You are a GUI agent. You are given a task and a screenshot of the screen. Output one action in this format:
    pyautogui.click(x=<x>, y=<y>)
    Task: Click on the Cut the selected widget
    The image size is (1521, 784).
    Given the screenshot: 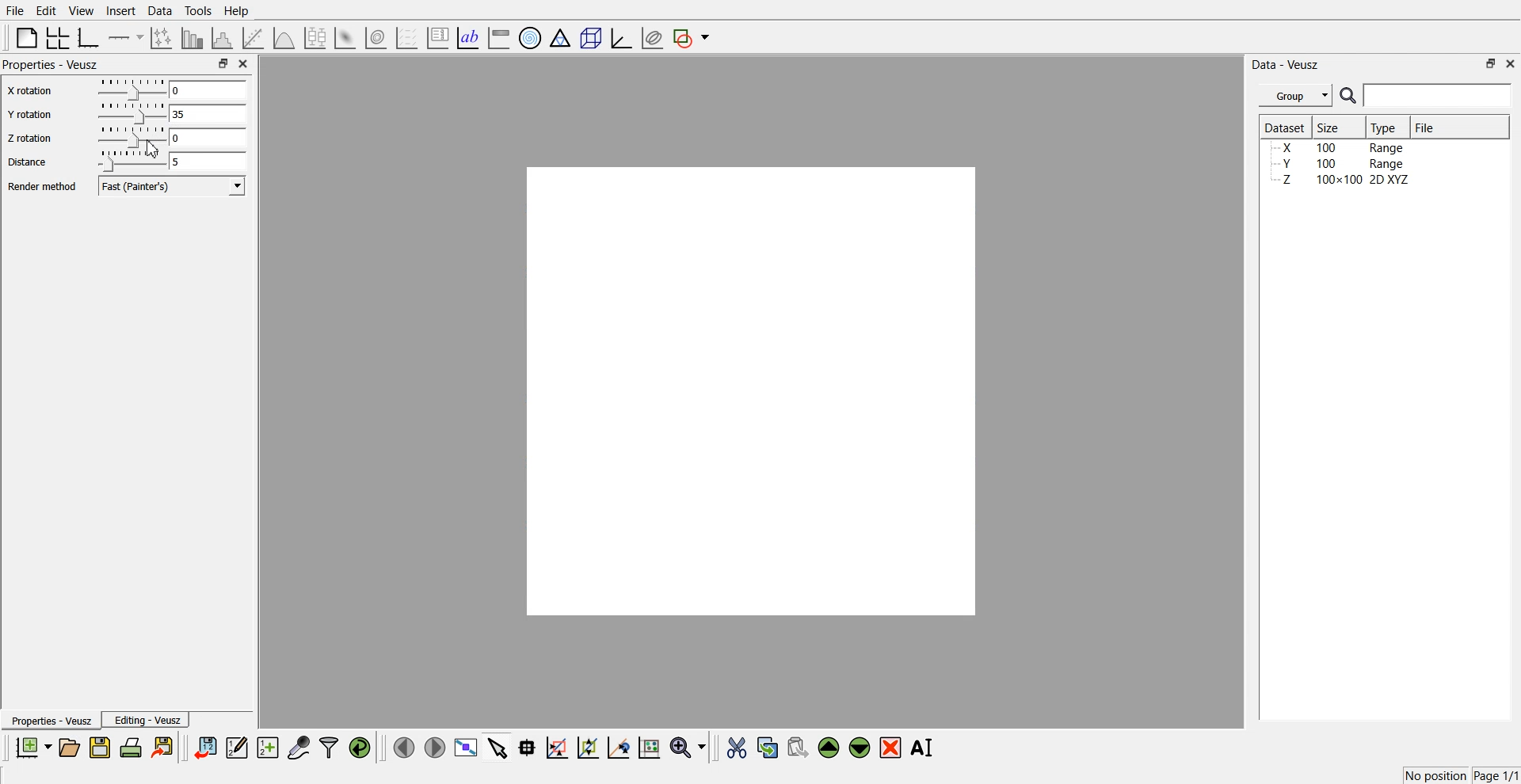 What is the action you would take?
    pyautogui.click(x=737, y=748)
    